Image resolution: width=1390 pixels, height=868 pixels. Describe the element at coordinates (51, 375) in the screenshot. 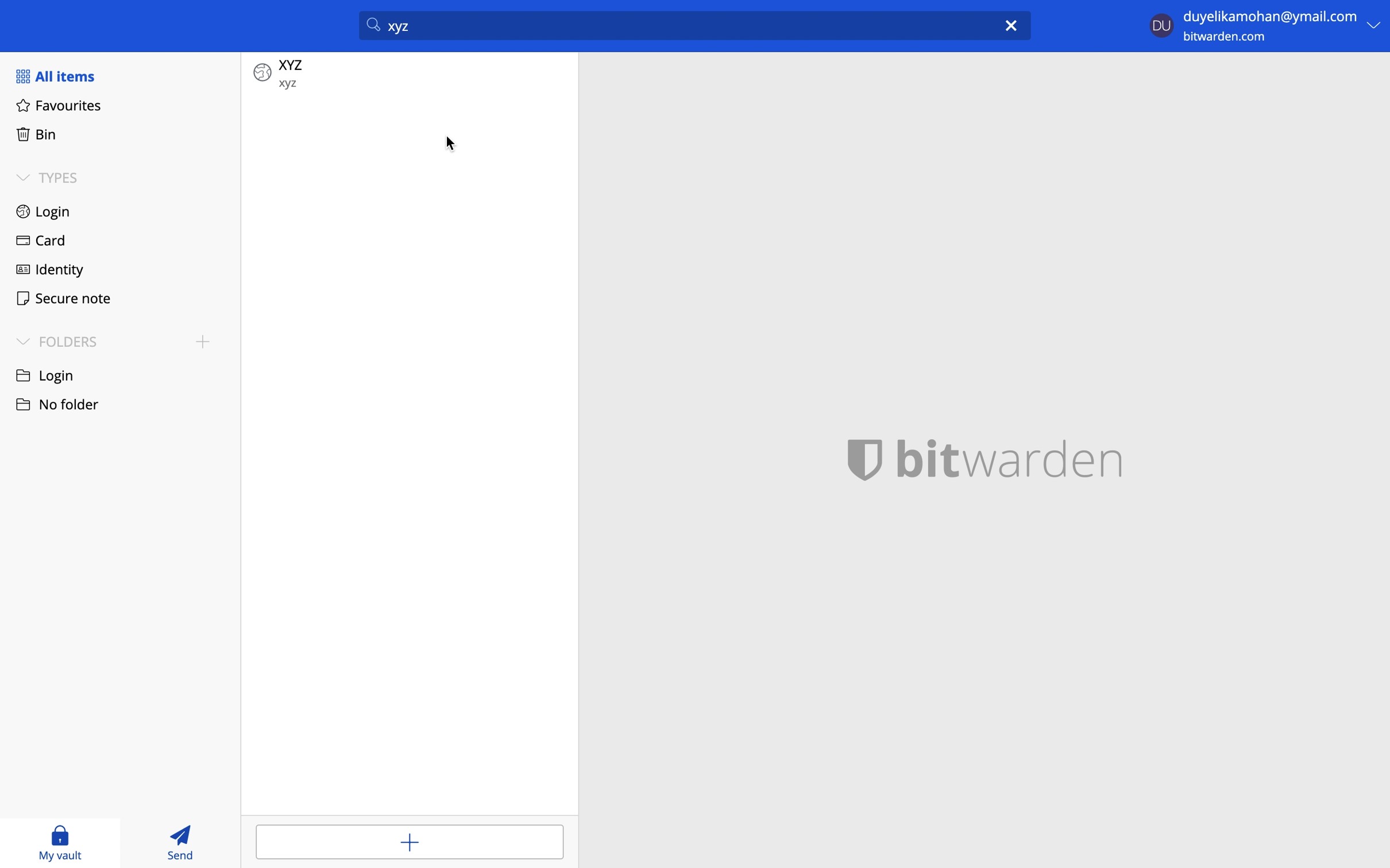

I see `login` at that location.